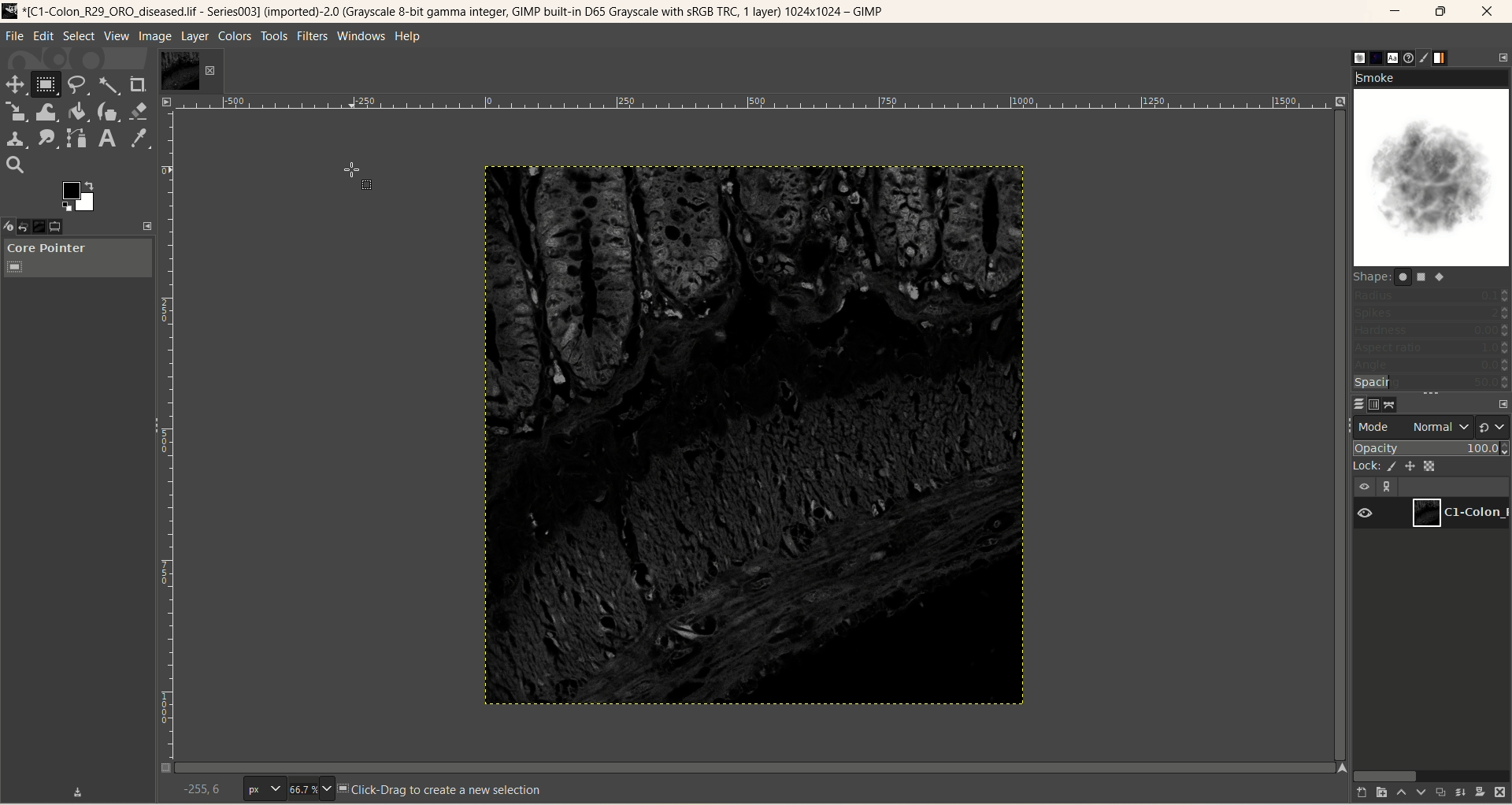 The image size is (1512, 805). Describe the element at coordinates (9, 227) in the screenshot. I see `device status` at that location.